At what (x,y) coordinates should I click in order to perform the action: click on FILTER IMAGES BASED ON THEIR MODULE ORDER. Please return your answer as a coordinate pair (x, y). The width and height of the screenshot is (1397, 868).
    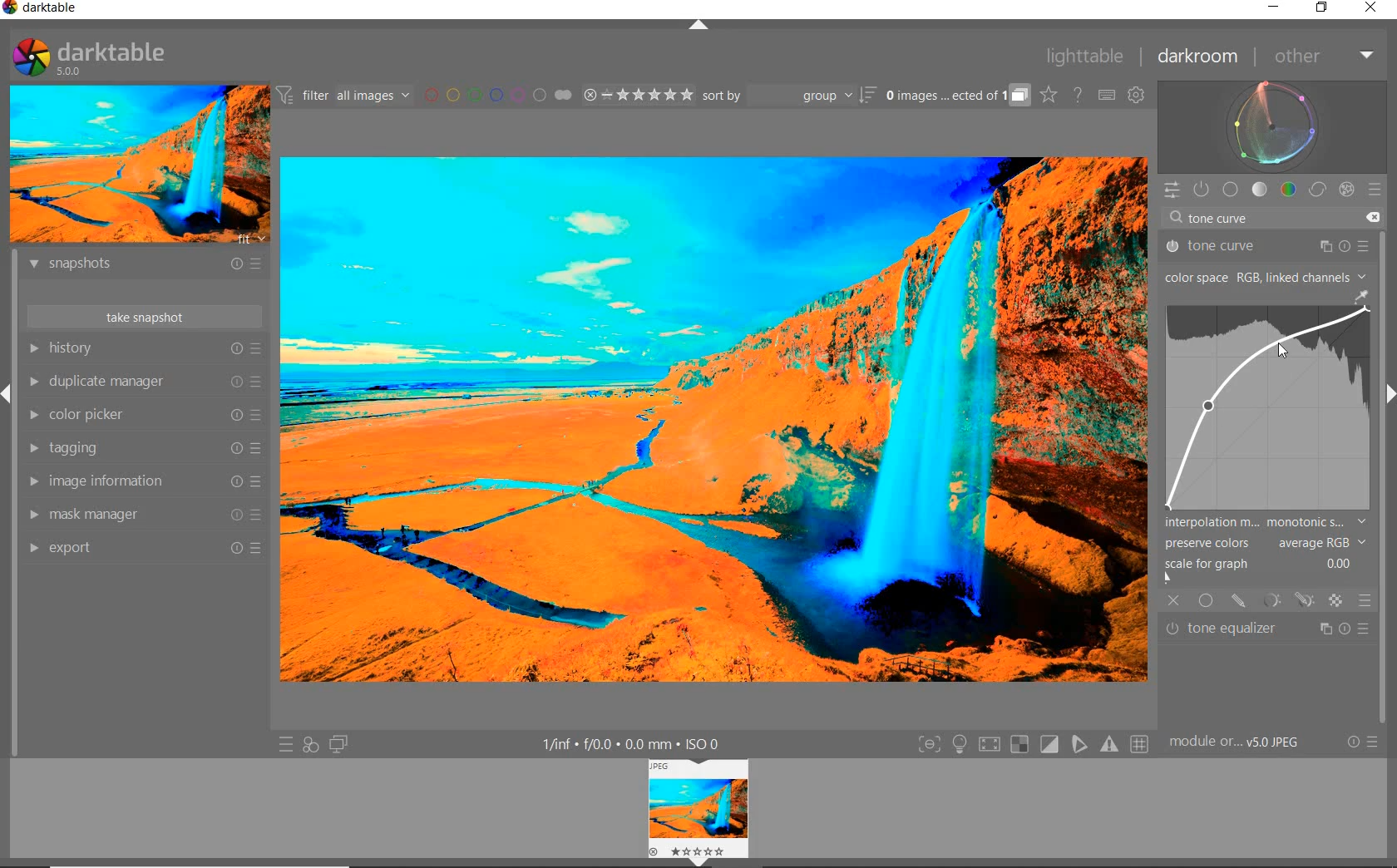
    Looking at the image, I should click on (343, 96).